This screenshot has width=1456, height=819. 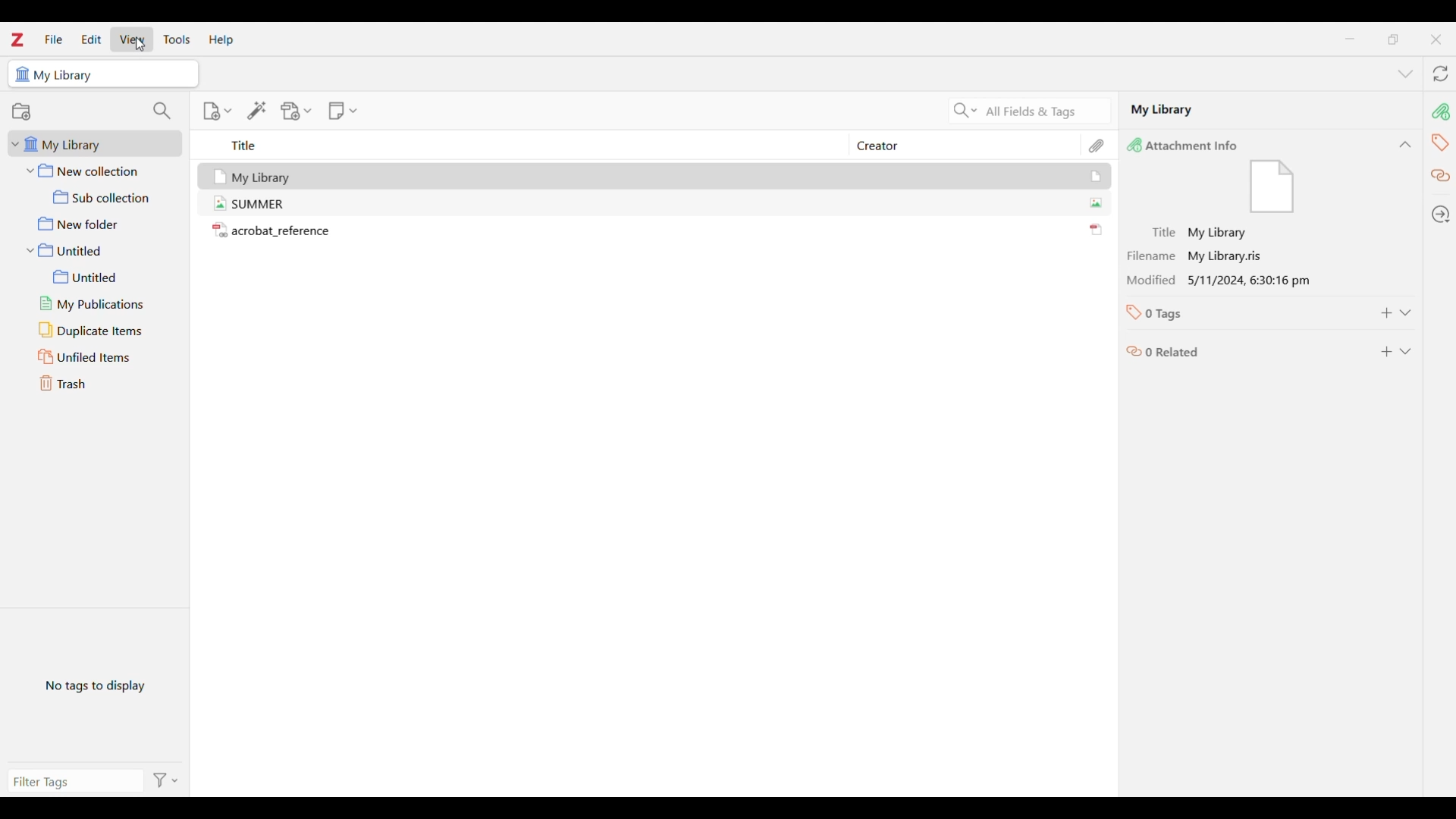 I want to click on New item options, so click(x=217, y=111).